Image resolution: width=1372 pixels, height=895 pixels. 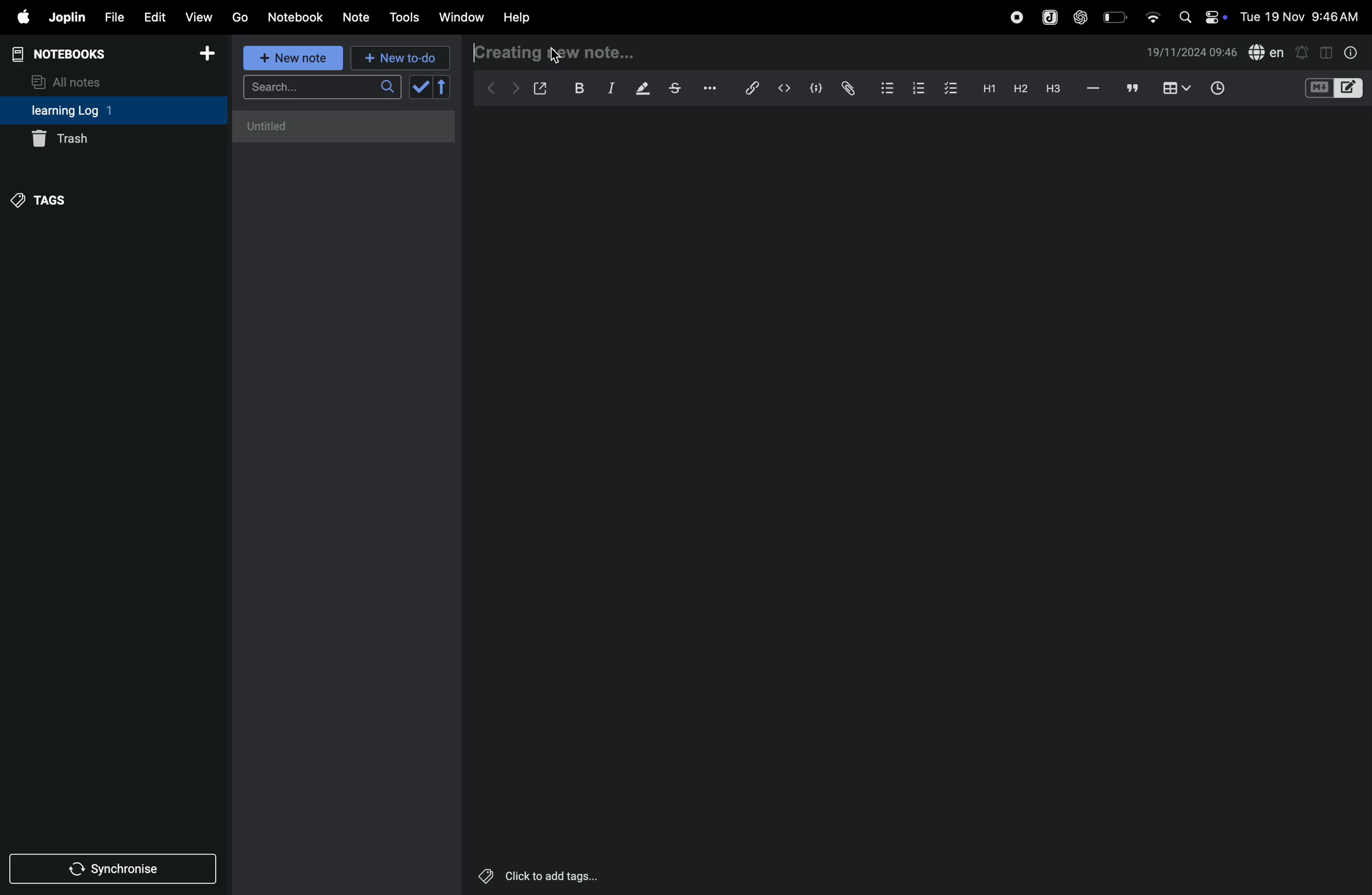 I want to click on all notes, so click(x=73, y=81).